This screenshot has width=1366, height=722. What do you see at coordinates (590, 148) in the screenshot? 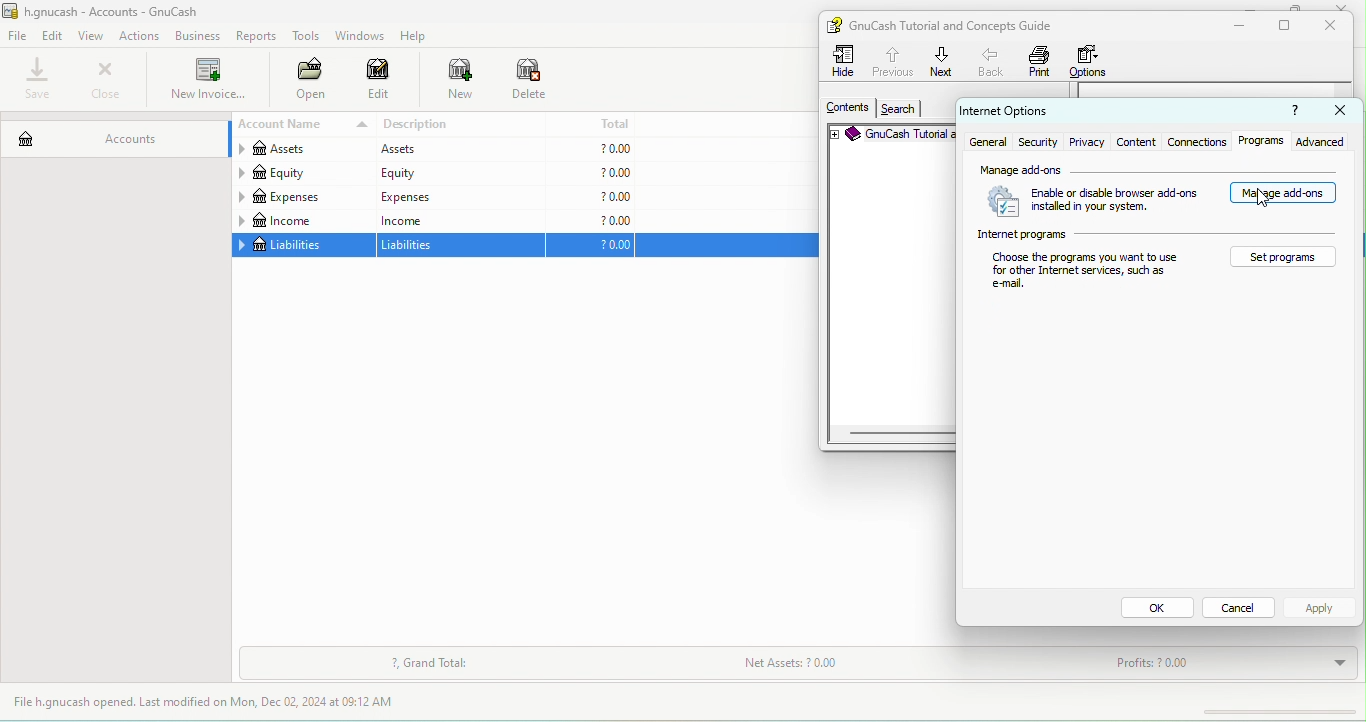
I see `?0.00` at bounding box center [590, 148].